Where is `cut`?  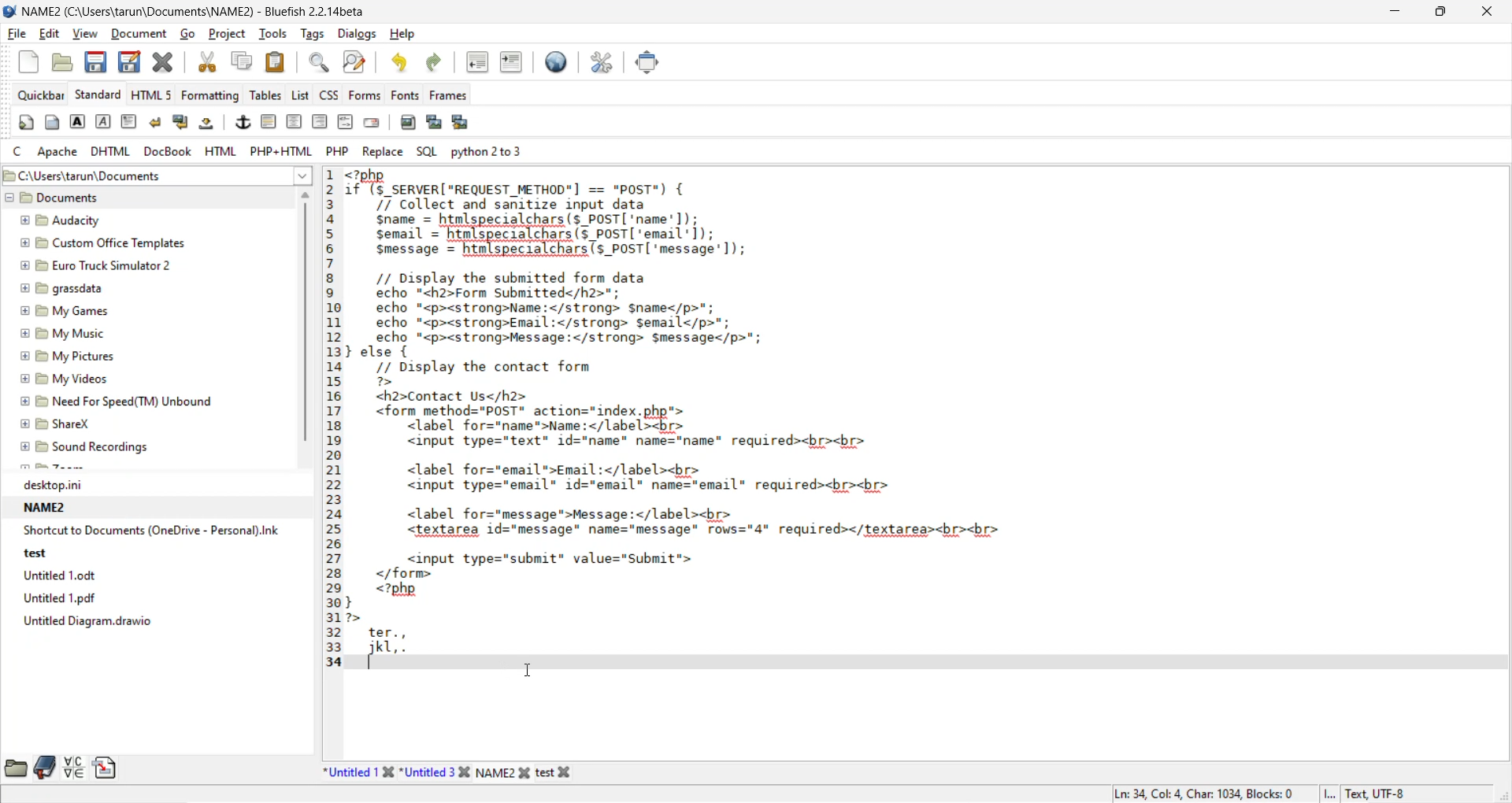
cut is located at coordinates (210, 63).